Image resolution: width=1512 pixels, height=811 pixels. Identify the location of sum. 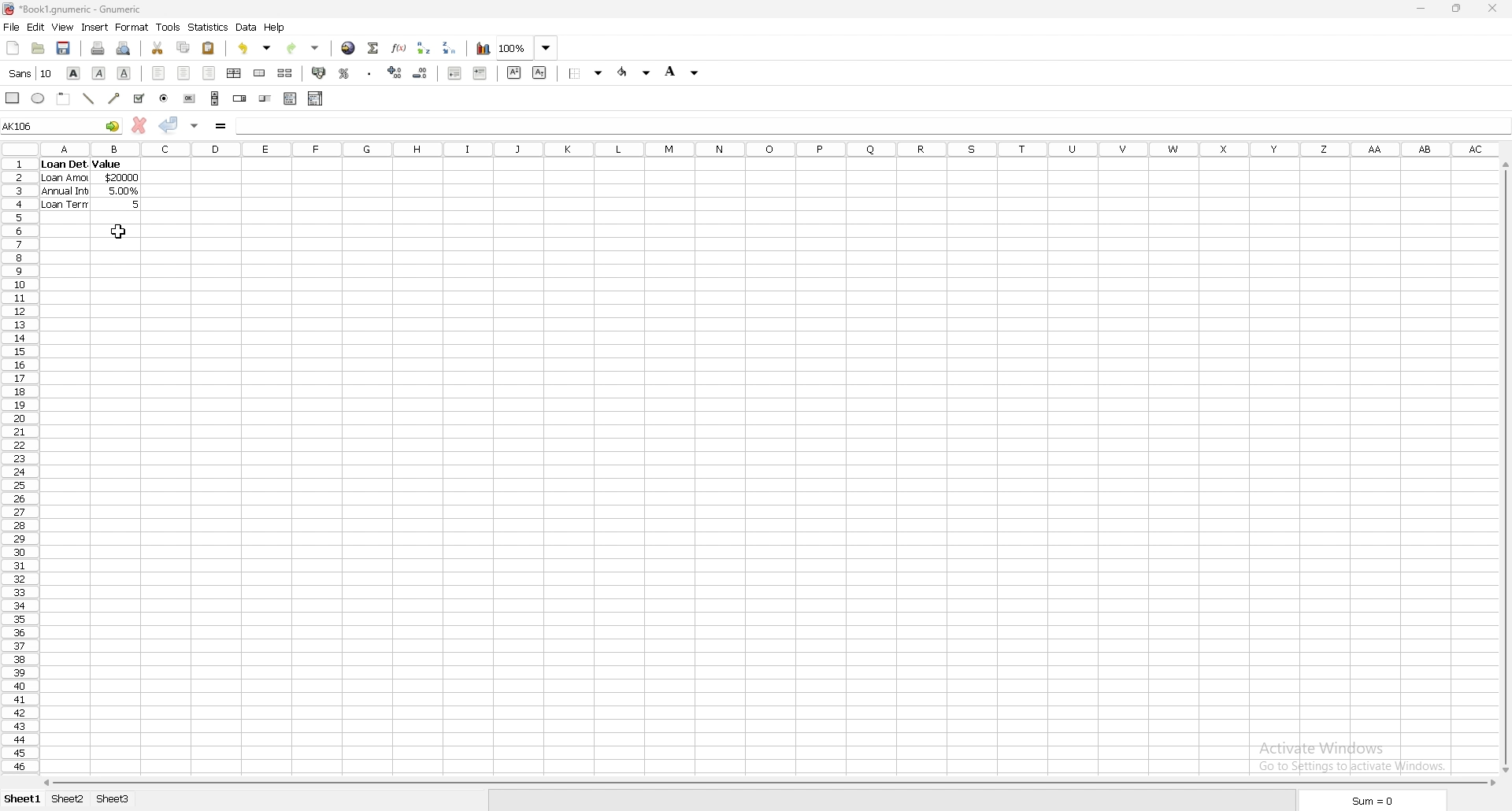
(1371, 802).